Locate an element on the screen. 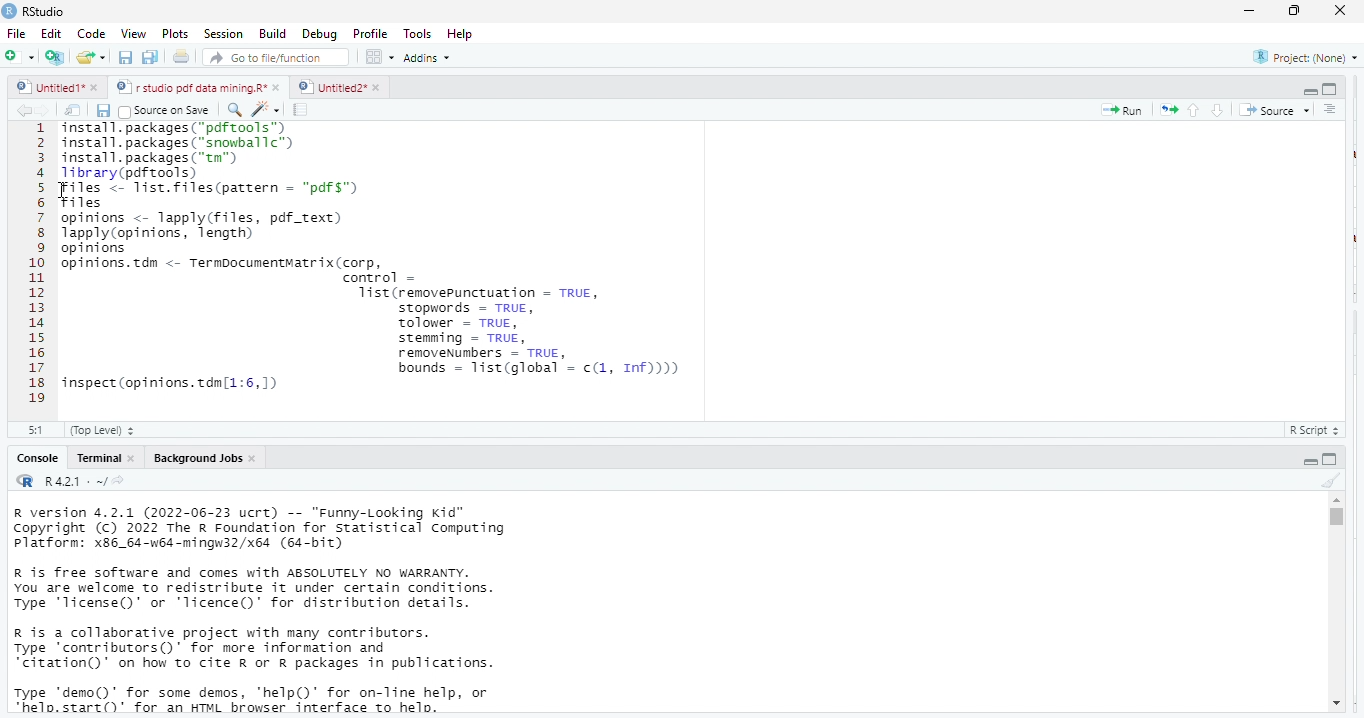 This screenshot has width=1364, height=718. debug is located at coordinates (317, 33).